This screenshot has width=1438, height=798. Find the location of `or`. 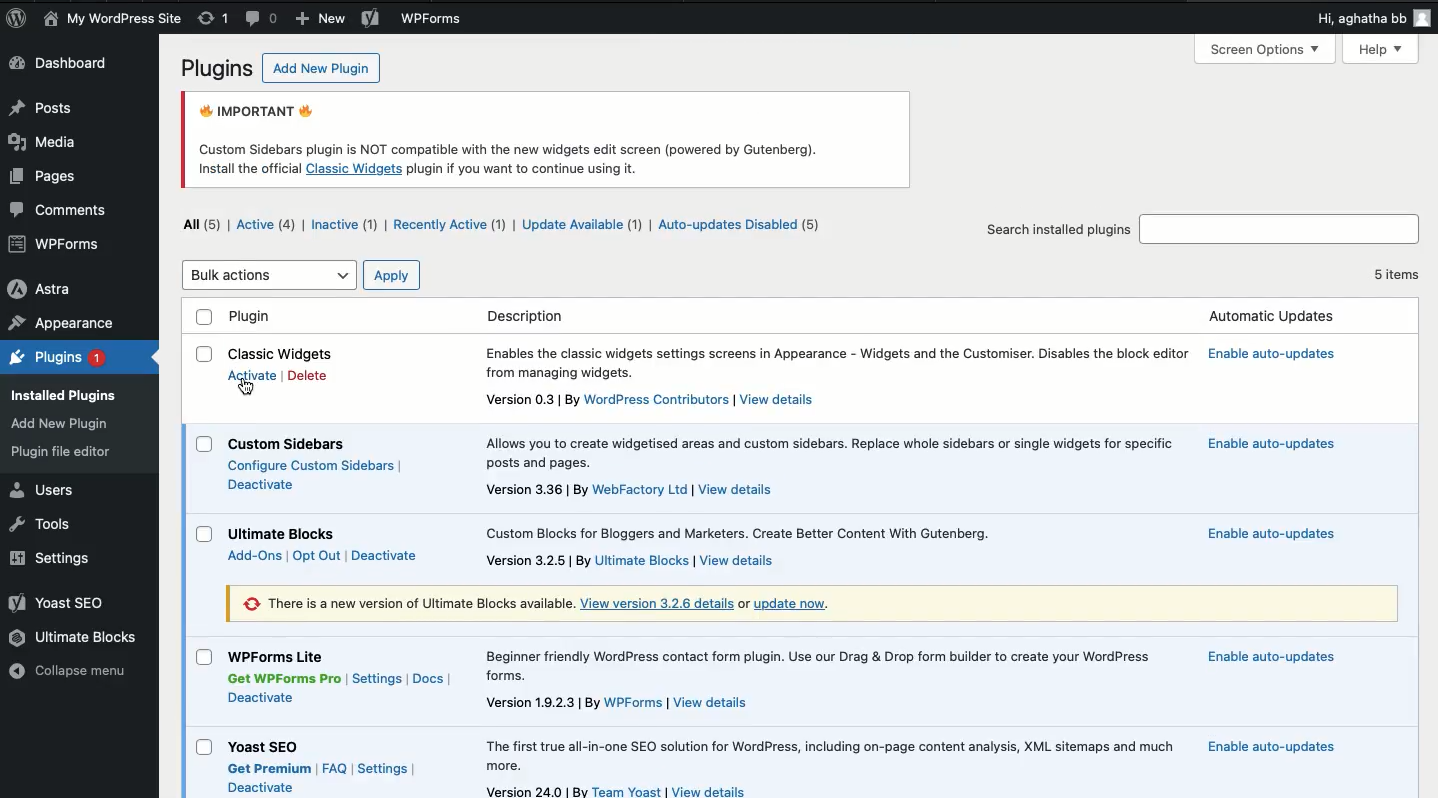

or is located at coordinates (744, 604).